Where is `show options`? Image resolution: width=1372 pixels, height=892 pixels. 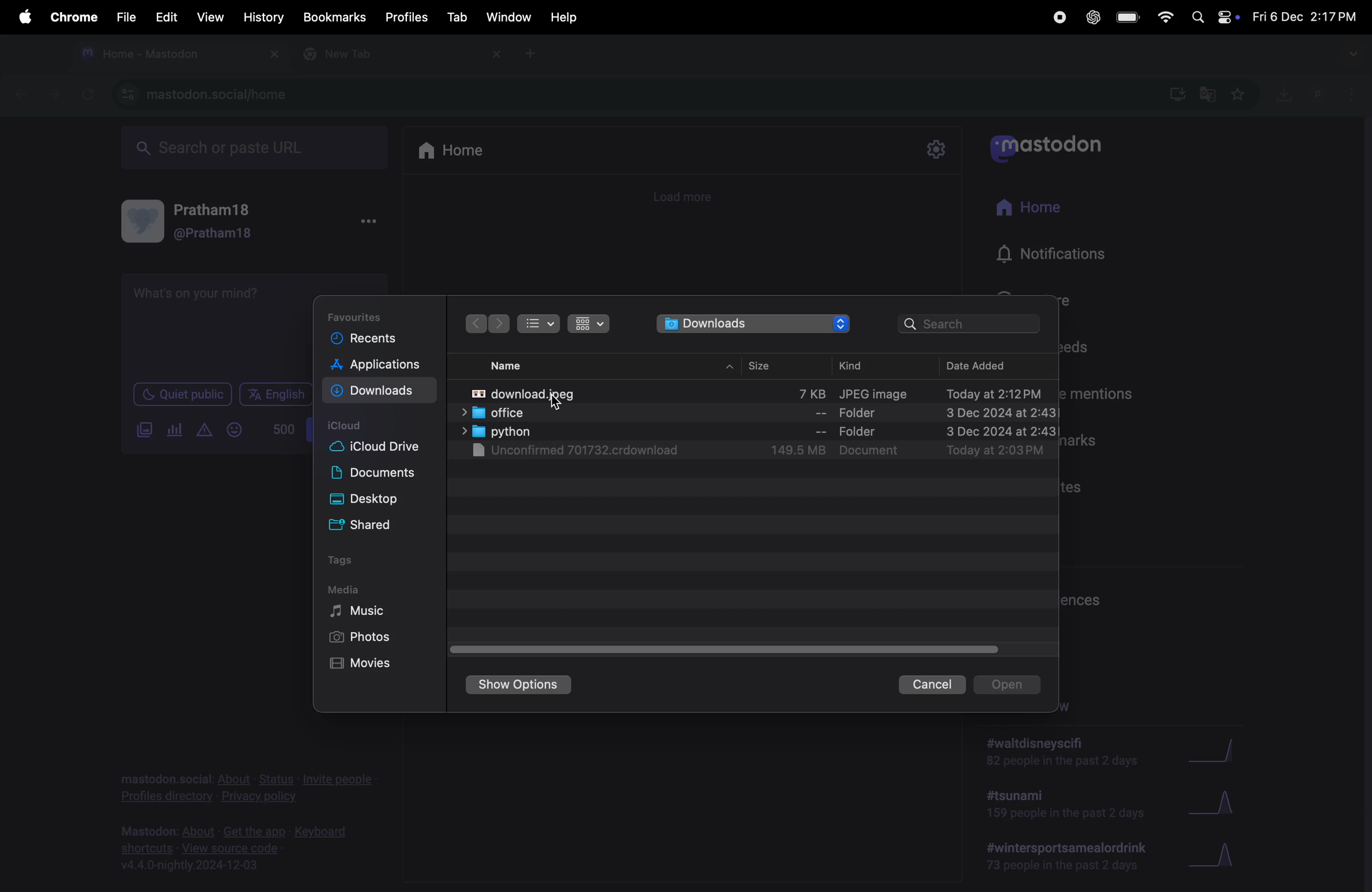 show options is located at coordinates (522, 686).